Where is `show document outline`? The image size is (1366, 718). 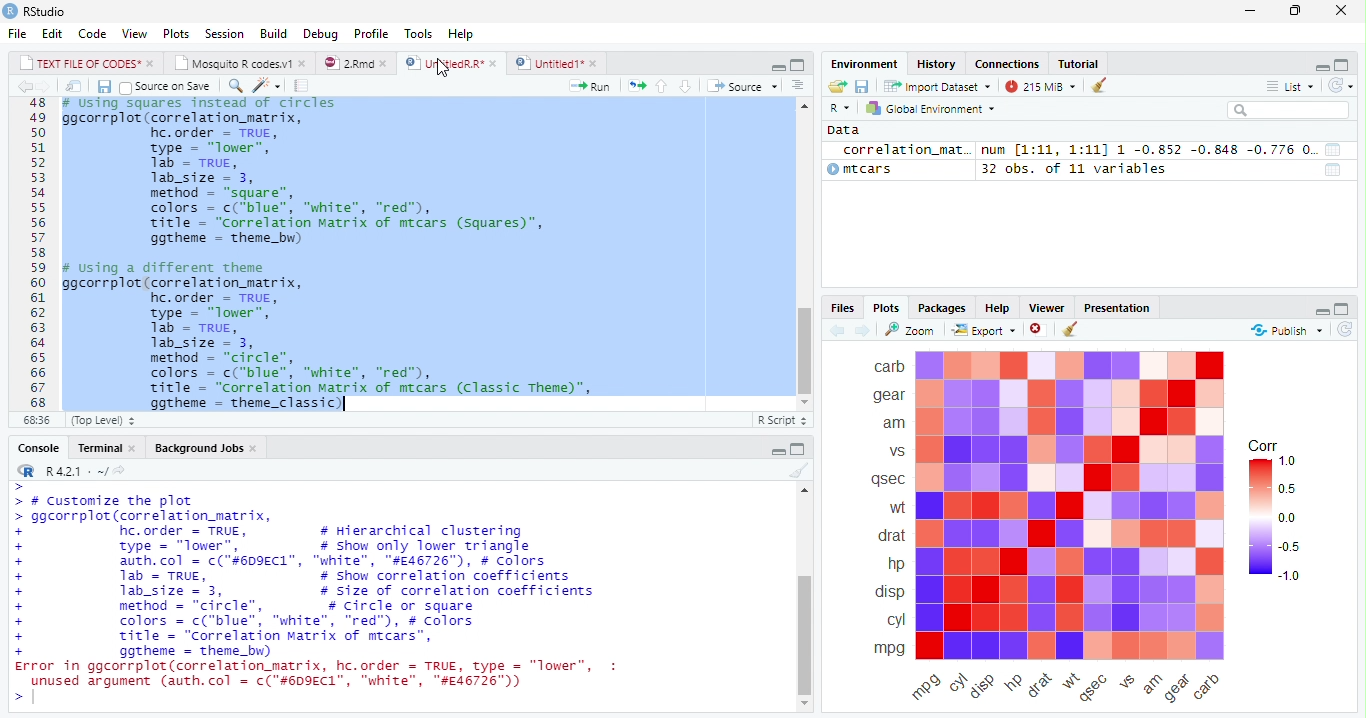 show document outline is located at coordinates (800, 87).